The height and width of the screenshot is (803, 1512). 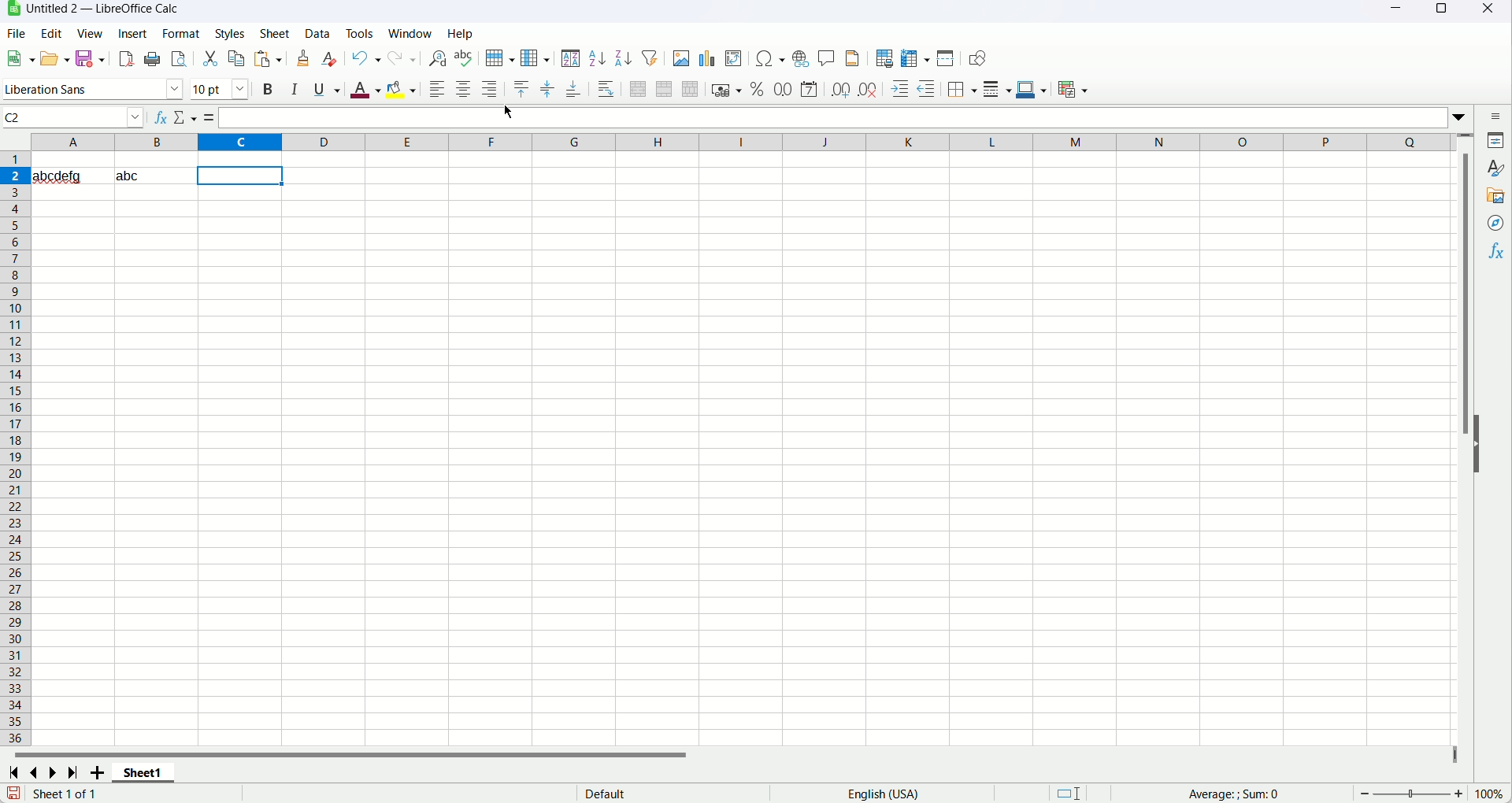 I want to click on functions, so click(x=1496, y=253).